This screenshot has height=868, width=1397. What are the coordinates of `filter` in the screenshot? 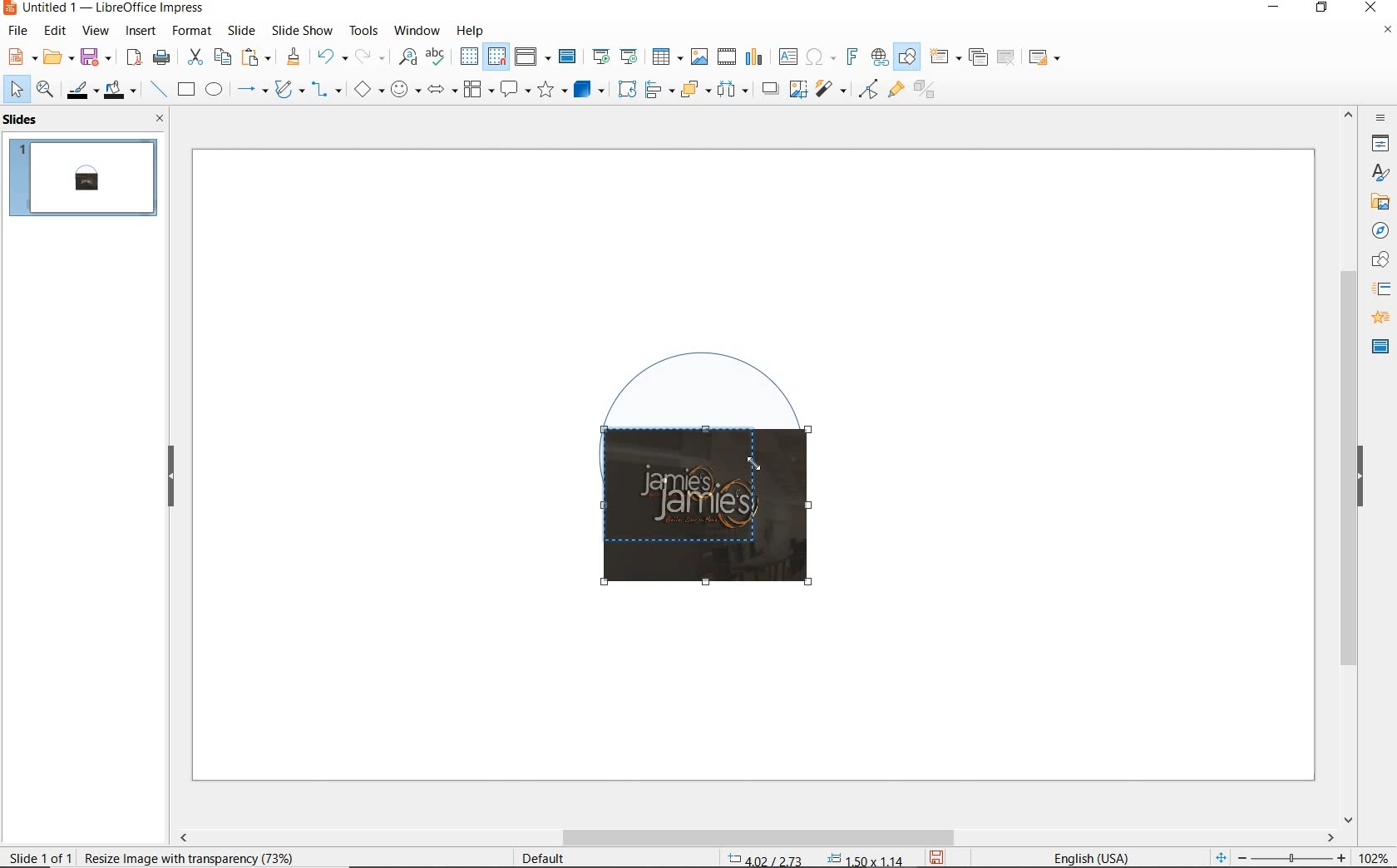 It's located at (868, 86).